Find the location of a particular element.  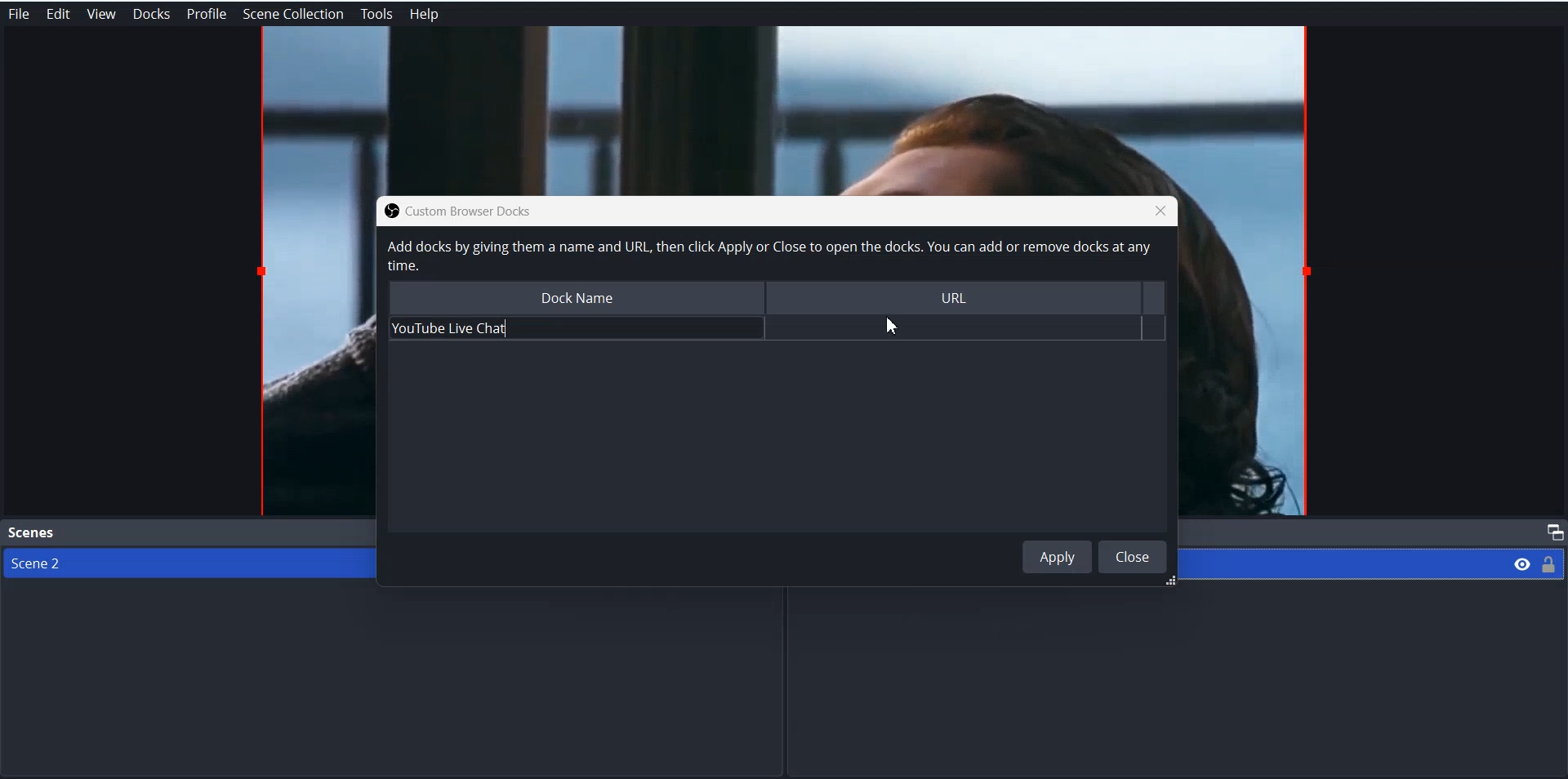

File is located at coordinates (18, 14).